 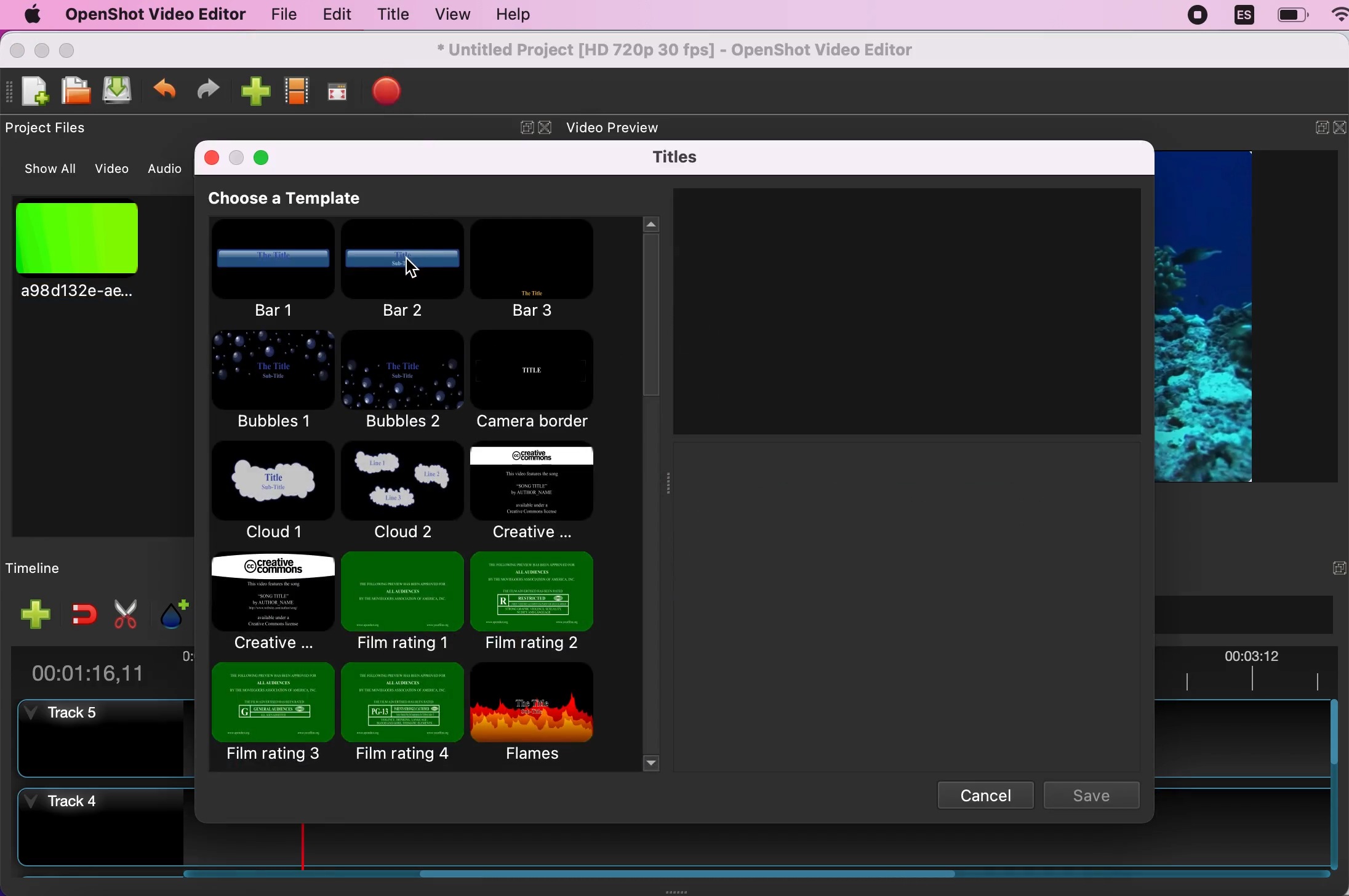 I want to click on project files, so click(x=52, y=129).